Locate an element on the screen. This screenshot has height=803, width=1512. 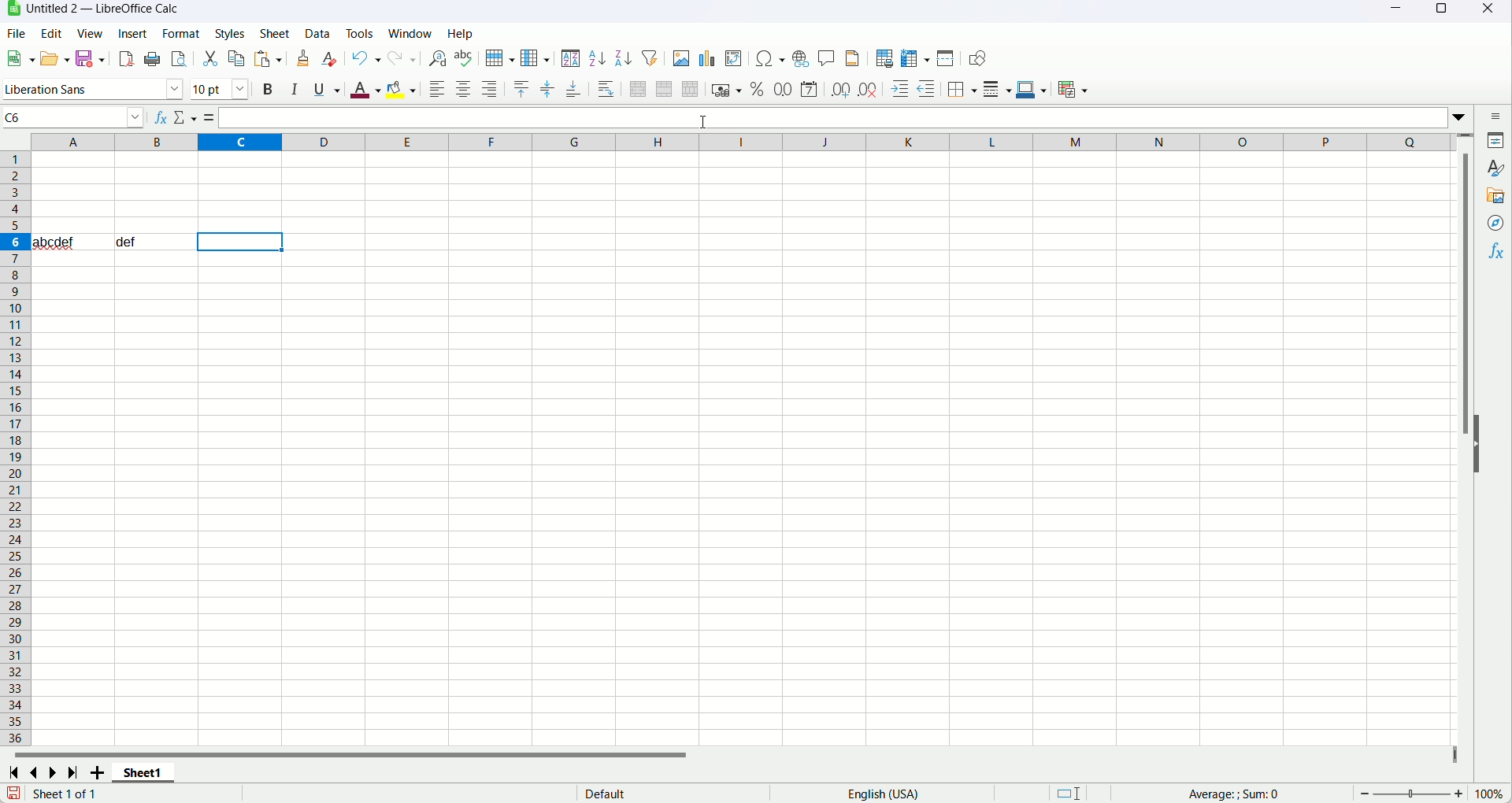
font name is located at coordinates (91, 88).